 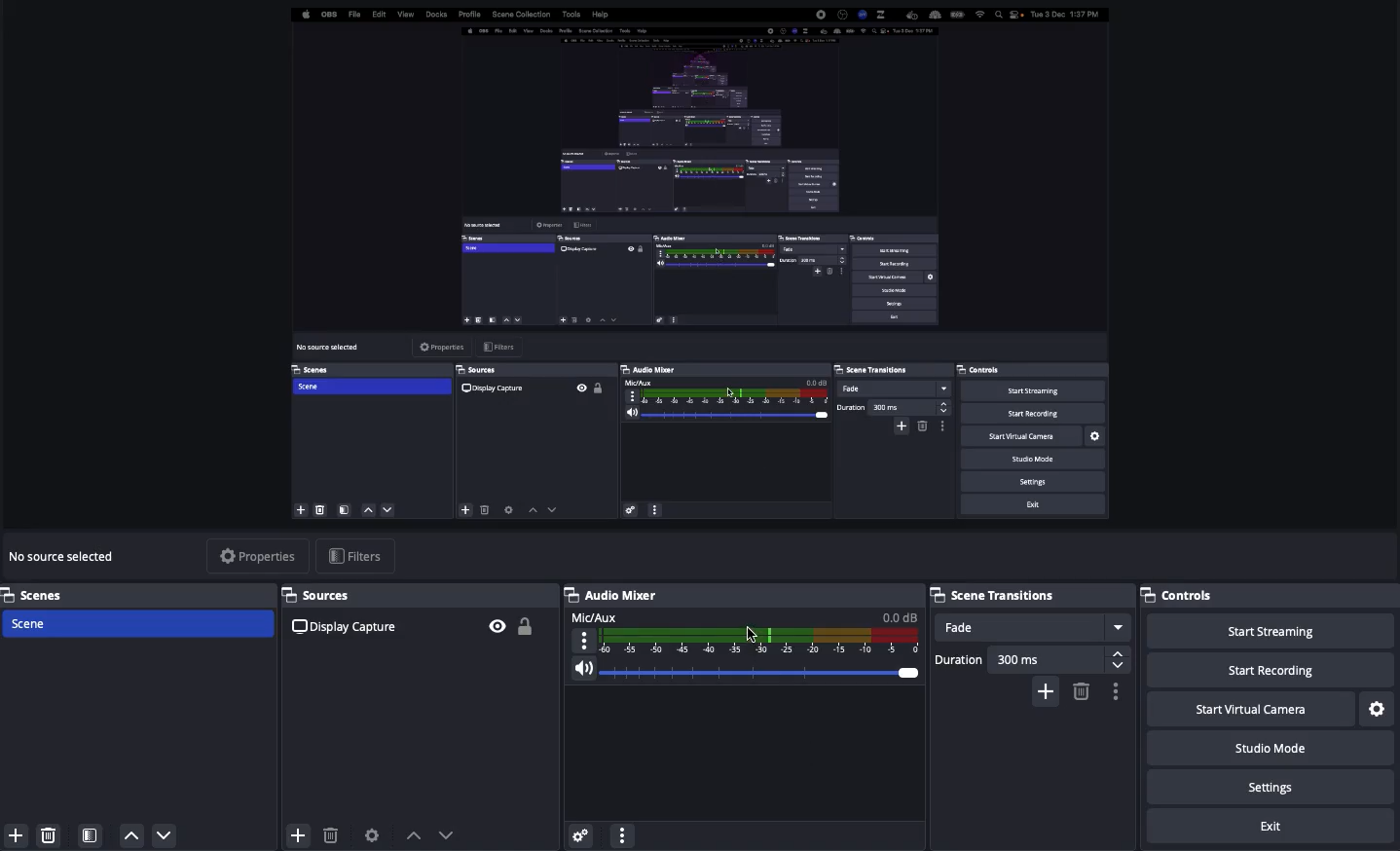 What do you see at coordinates (696, 269) in the screenshot?
I see `Screen` at bounding box center [696, 269].